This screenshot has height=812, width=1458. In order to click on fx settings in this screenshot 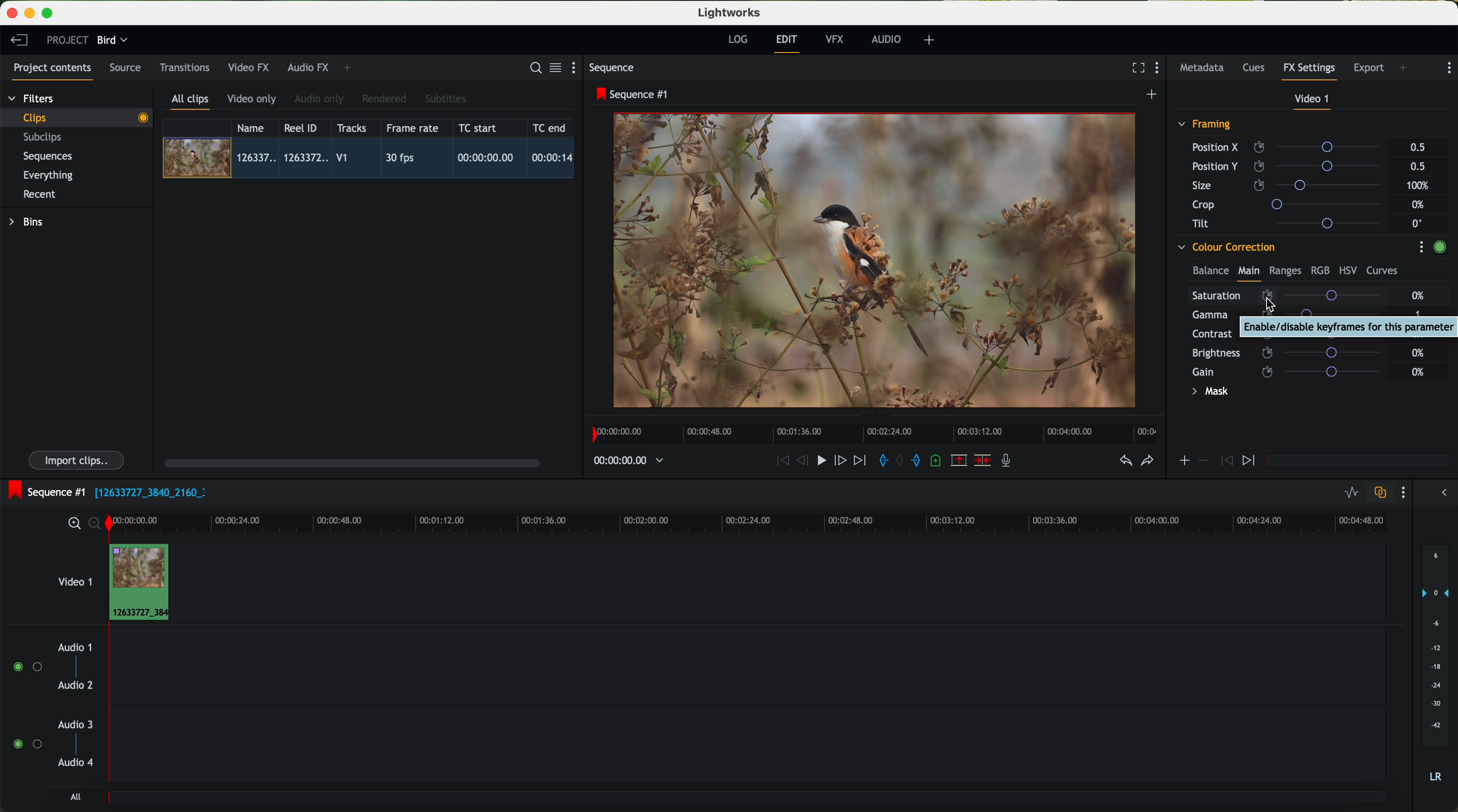, I will do `click(1309, 71)`.